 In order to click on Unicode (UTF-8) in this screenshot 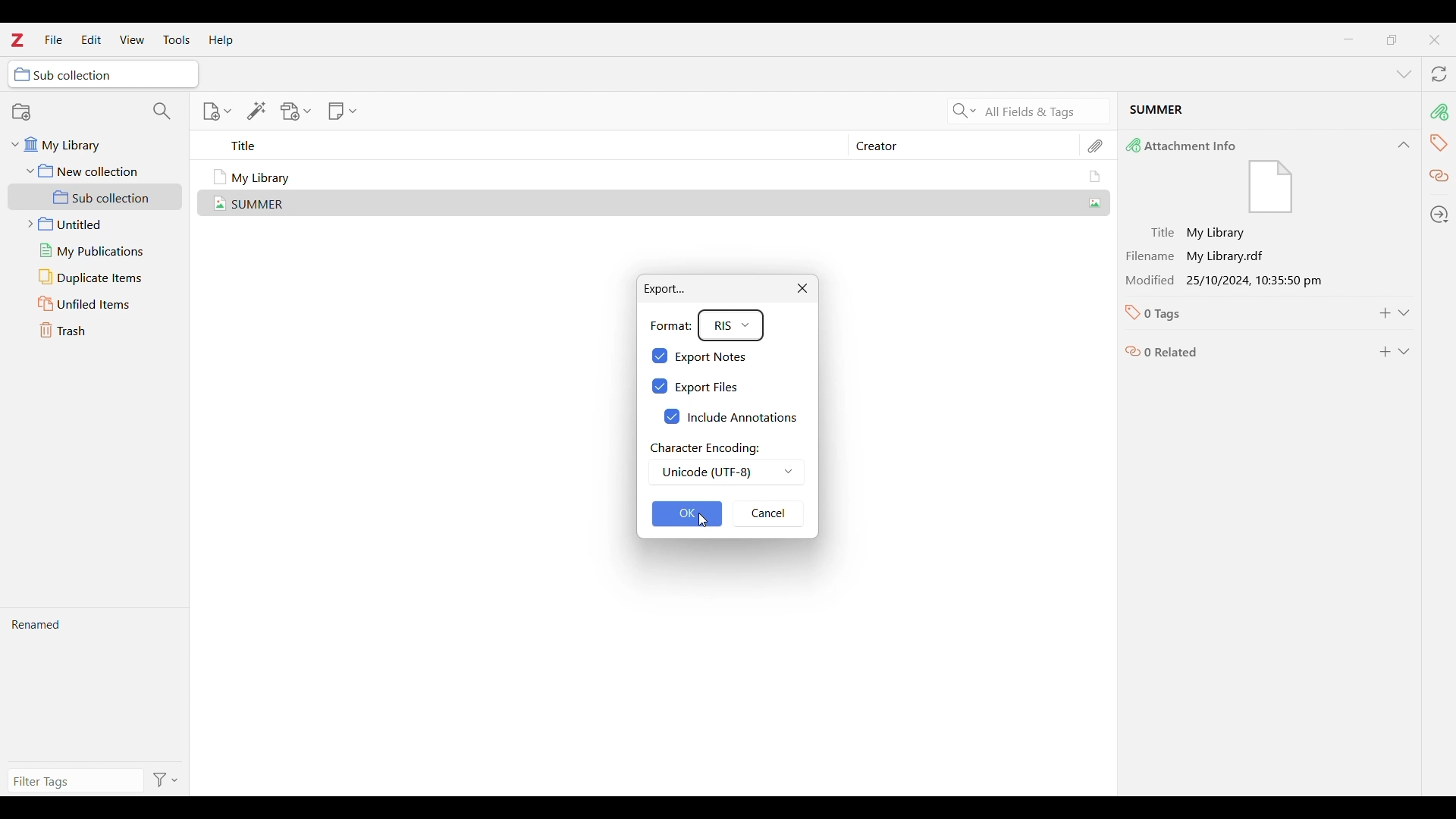, I will do `click(730, 473)`.